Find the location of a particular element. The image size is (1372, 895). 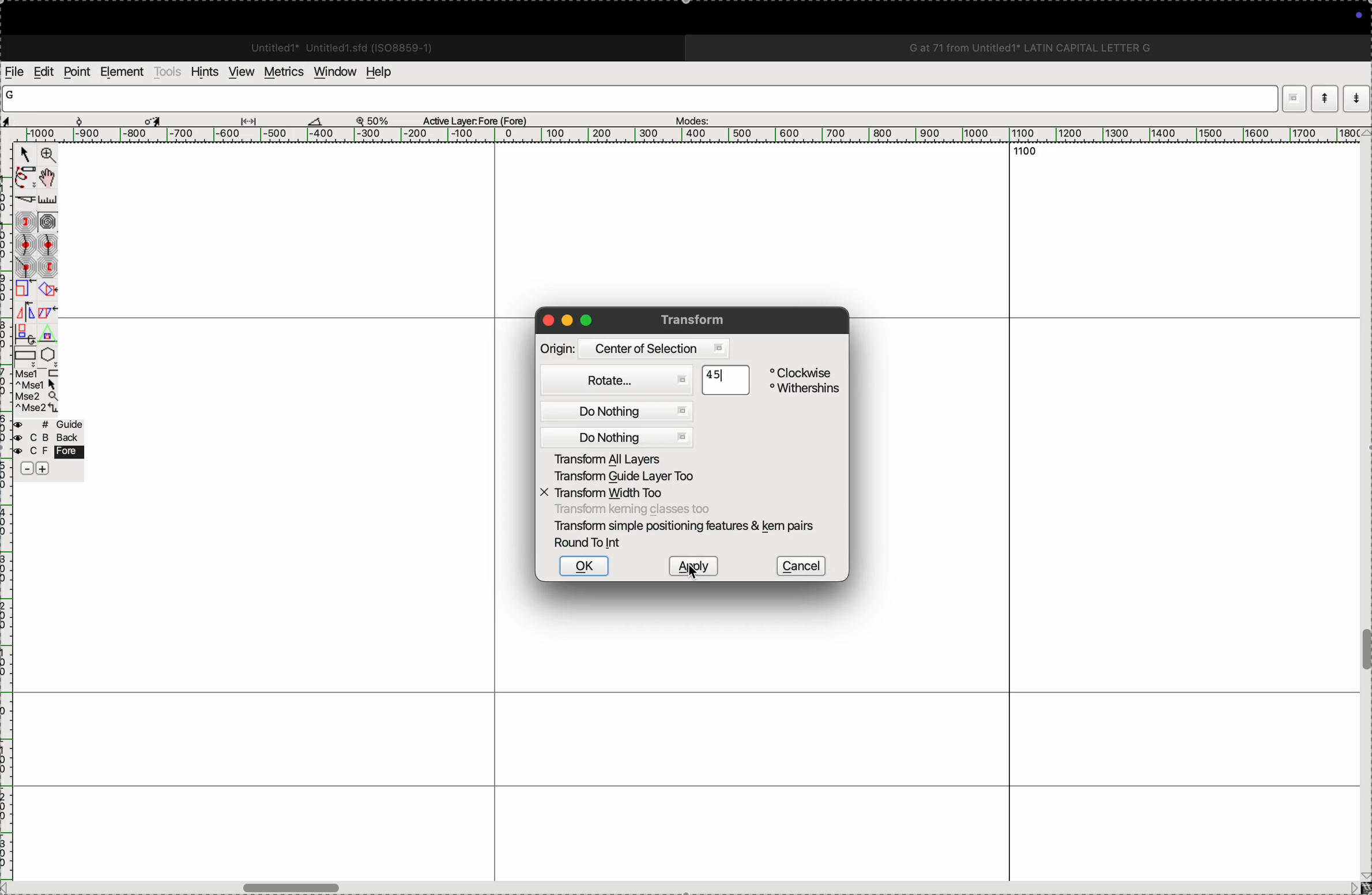

1100 is located at coordinates (1028, 154).